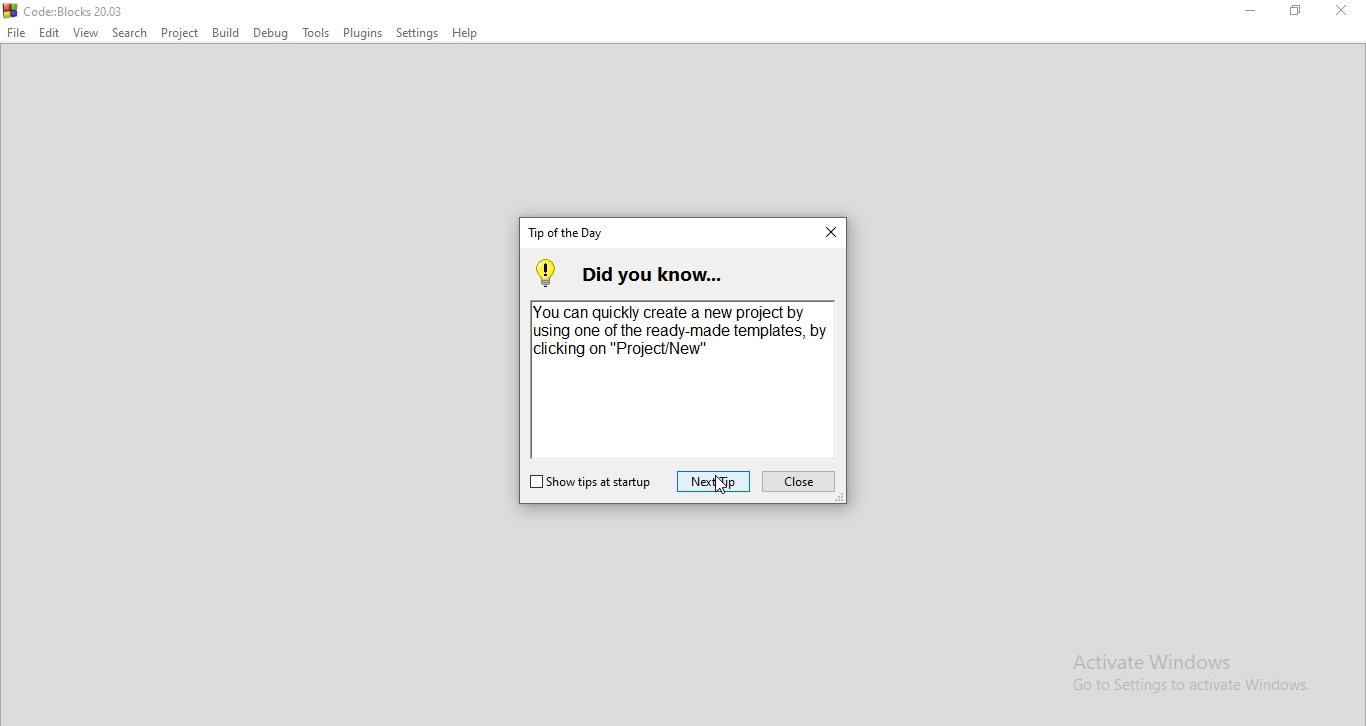 The width and height of the screenshot is (1366, 726). What do you see at coordinates (799, 481) in the screenshot?
I see `close` at bounding box center [799, 481].